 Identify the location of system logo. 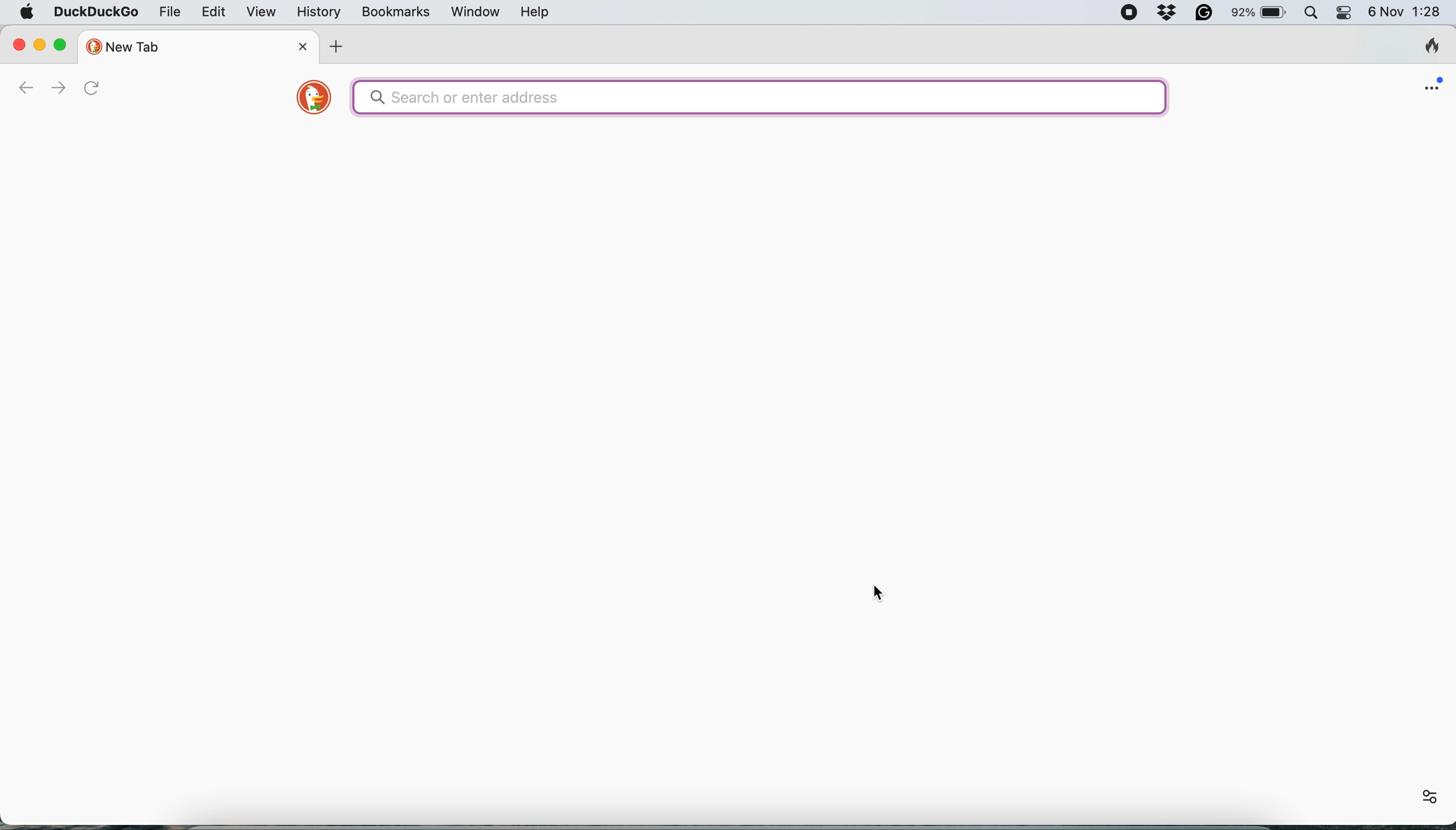
(27, 12).